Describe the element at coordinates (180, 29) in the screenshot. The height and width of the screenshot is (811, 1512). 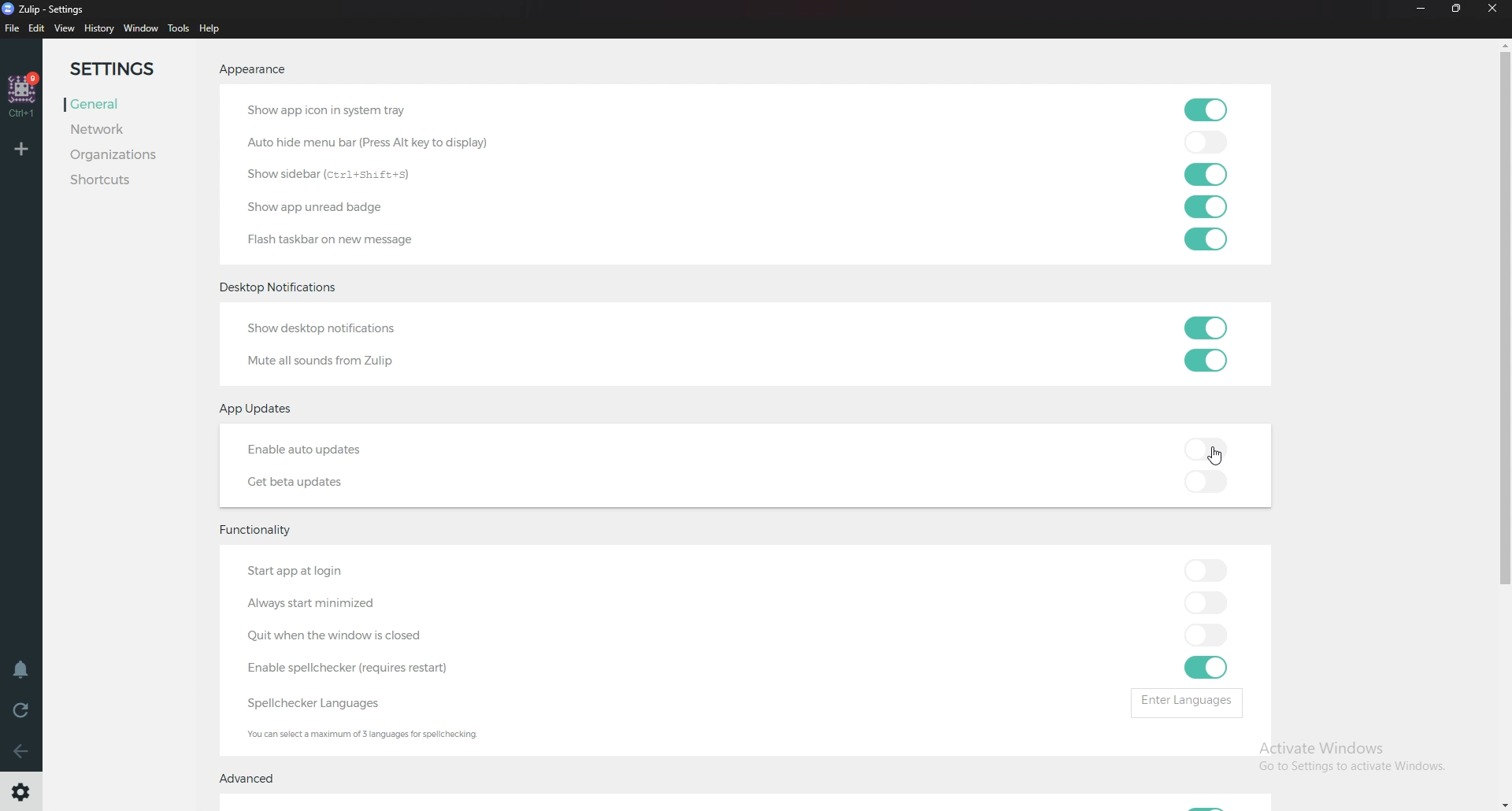
I see `Tools` at that location.